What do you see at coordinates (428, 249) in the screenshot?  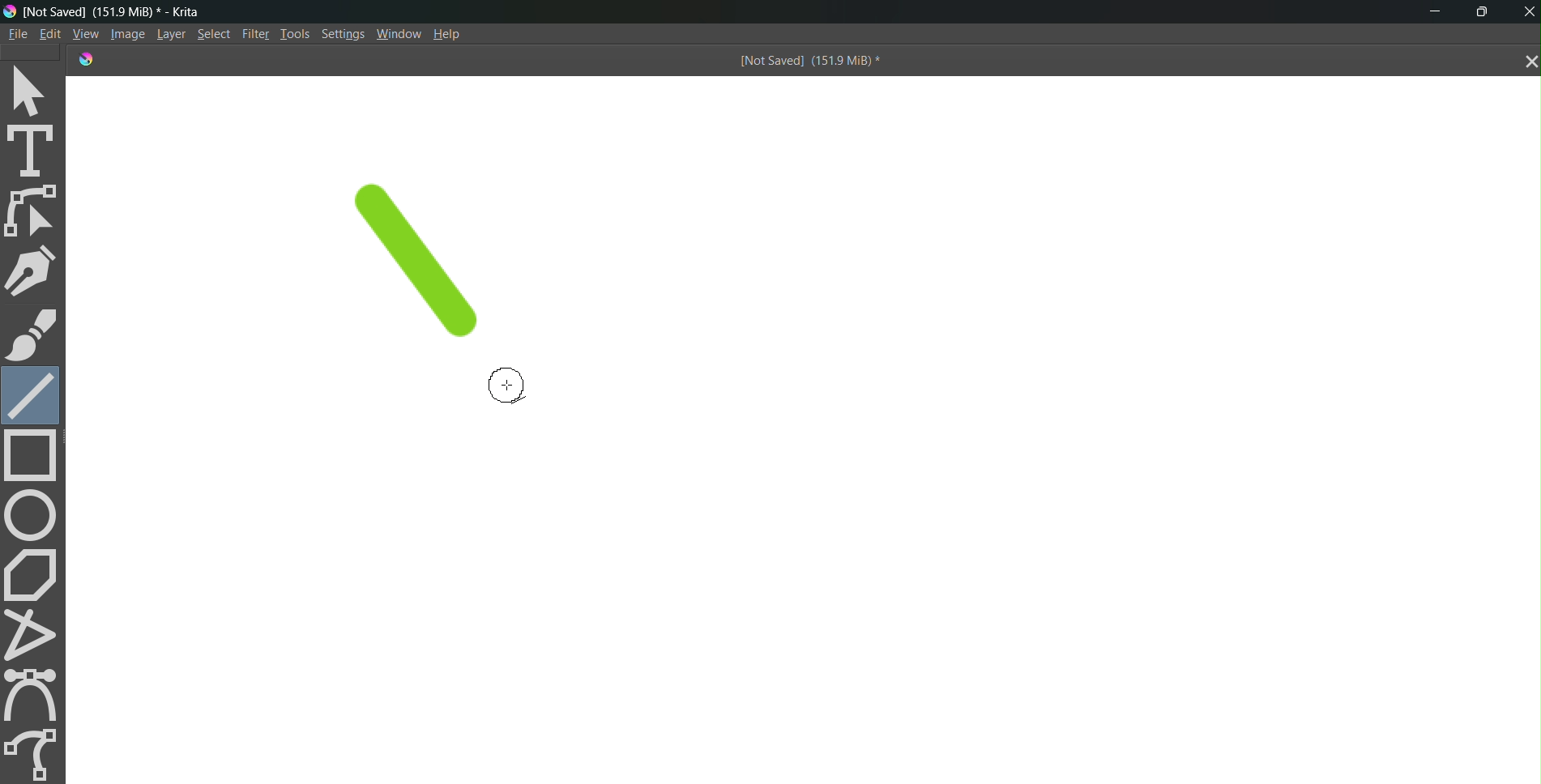 I see `line` at bounding box center [428, 249].